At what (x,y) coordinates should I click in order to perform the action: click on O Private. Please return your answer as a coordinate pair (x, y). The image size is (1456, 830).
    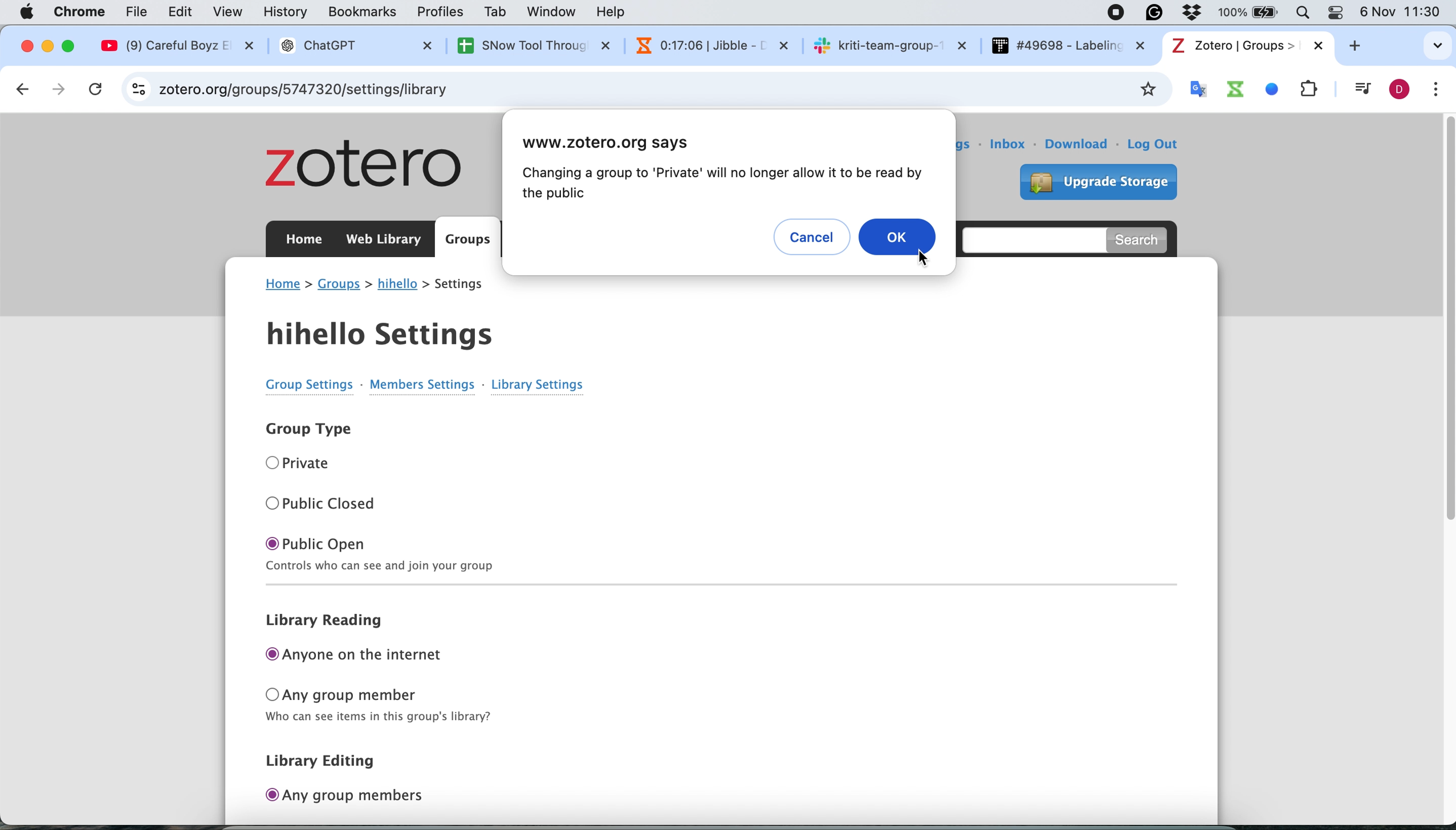
    Looking at the image, I should click on (303, 462).